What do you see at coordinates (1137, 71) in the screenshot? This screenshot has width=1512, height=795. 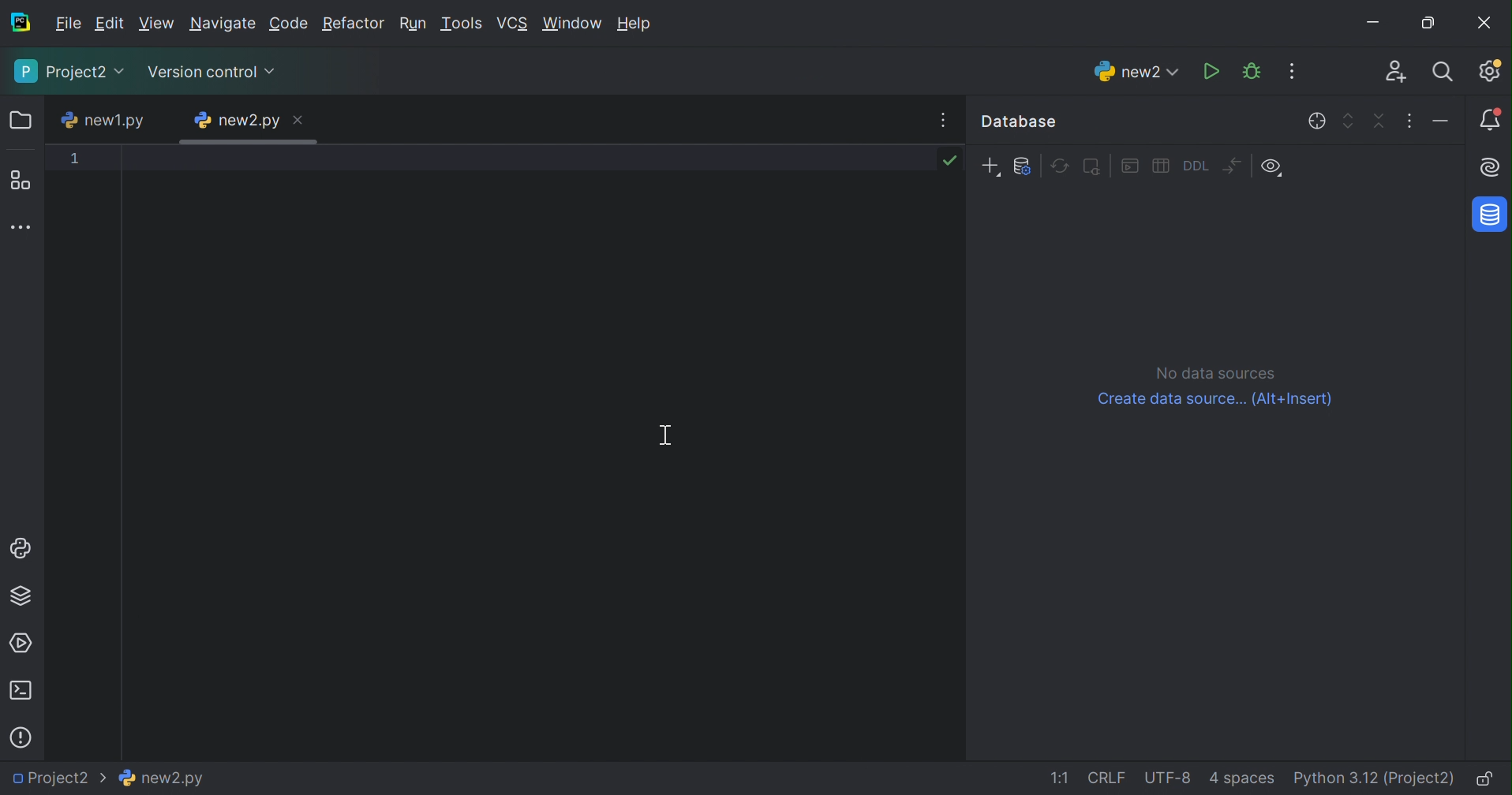 I see `new2` at bounding box center [1137, 71].